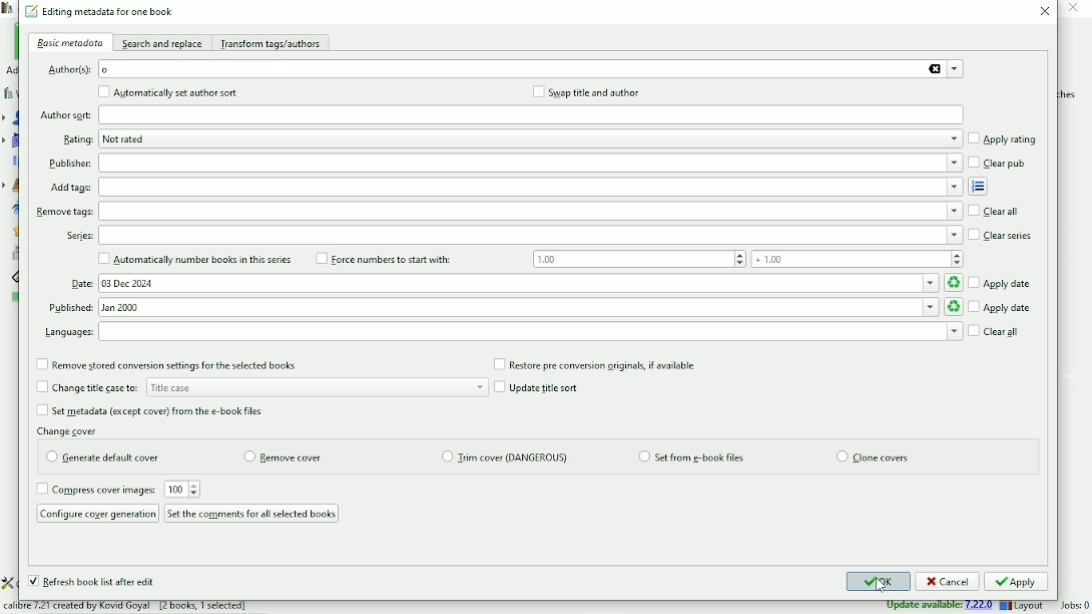  Describe the element at coordinates (150, 412) in the screenshot. I see `Set metadata from the e-book files.` at that location.